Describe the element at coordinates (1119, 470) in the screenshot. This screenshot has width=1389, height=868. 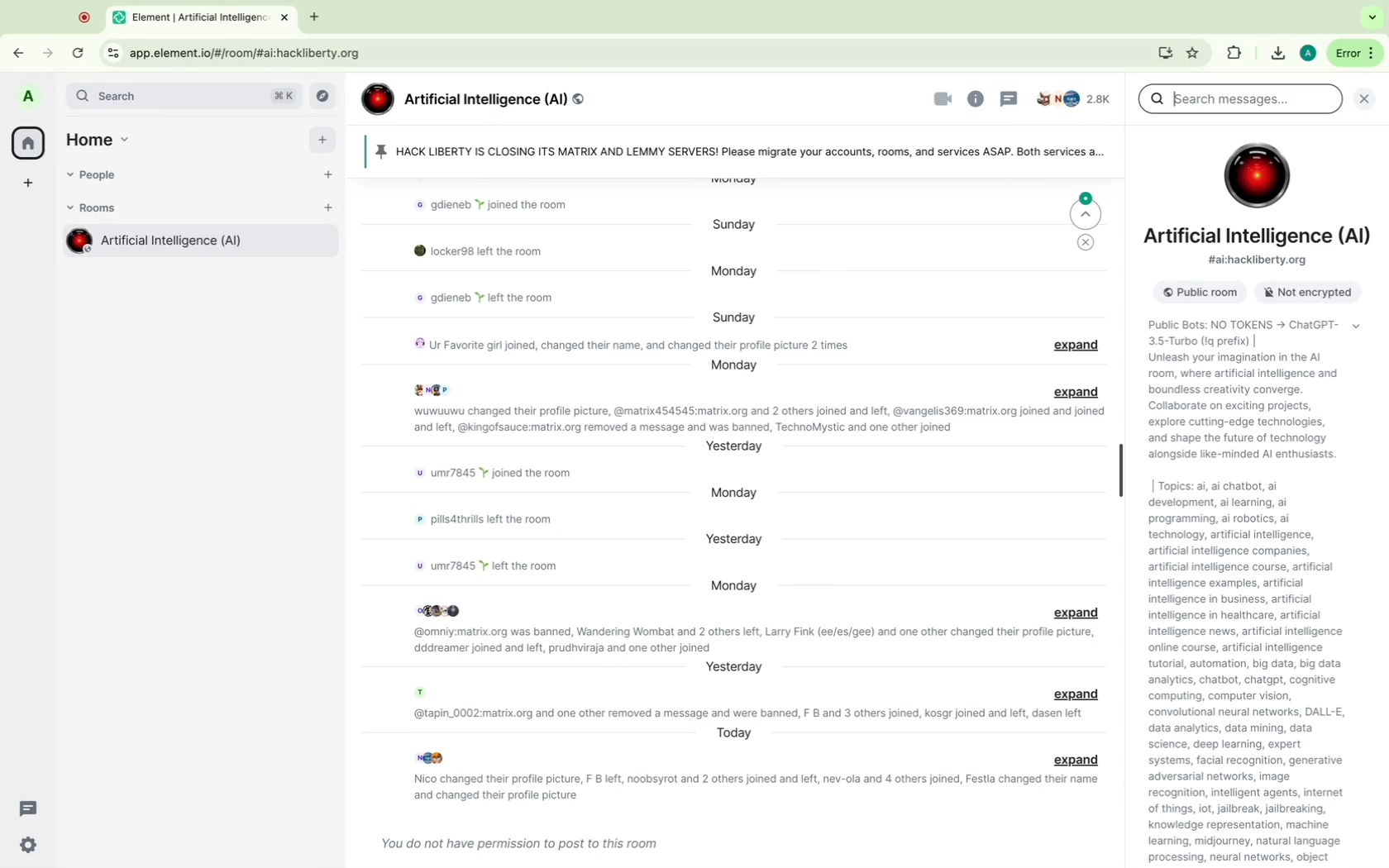
I see `scroll bar` at that location.